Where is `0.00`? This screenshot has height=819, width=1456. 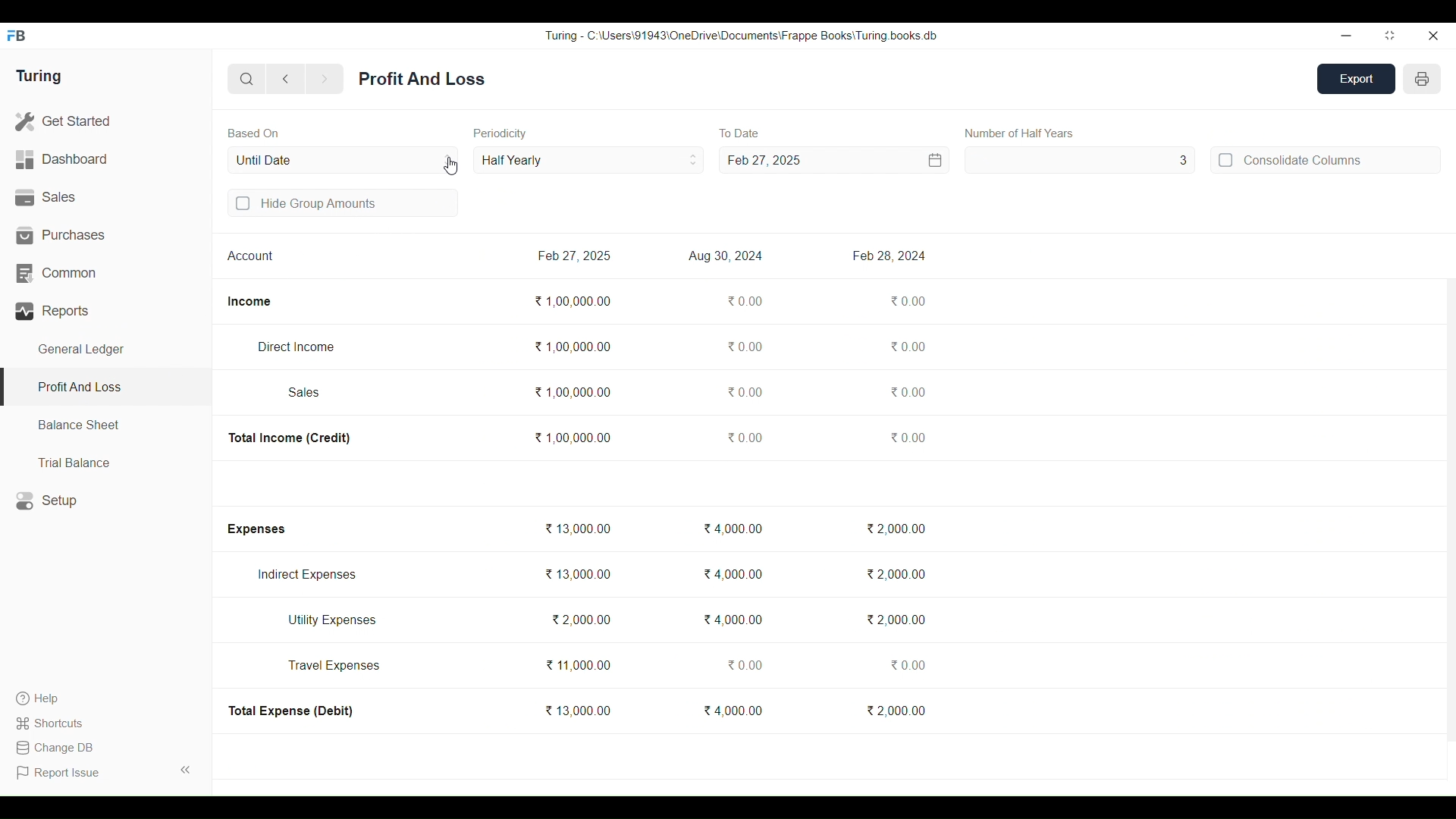 0.00 is located at coordinates (906, 664).